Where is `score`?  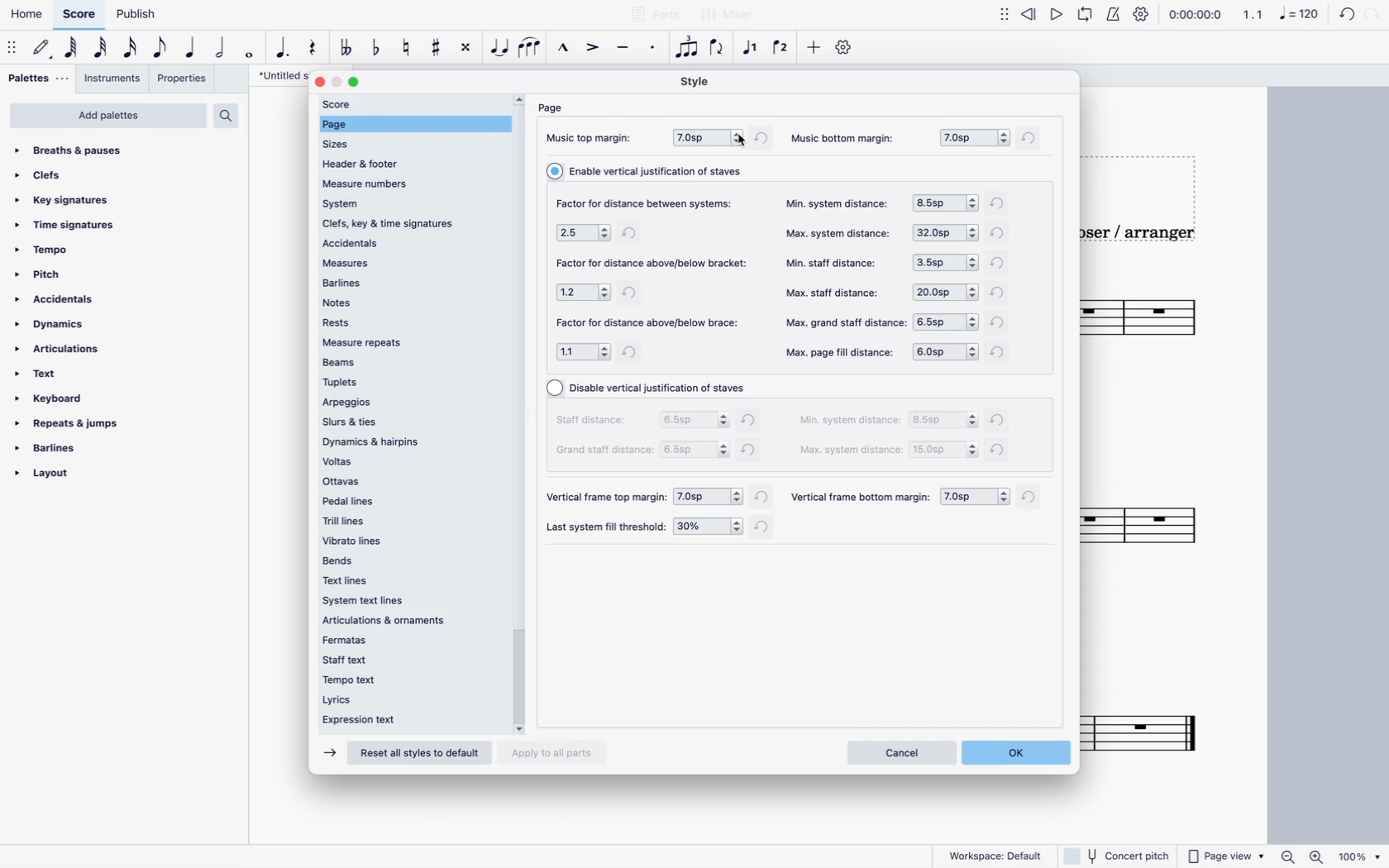
score is located at coordinates (1156, 524).